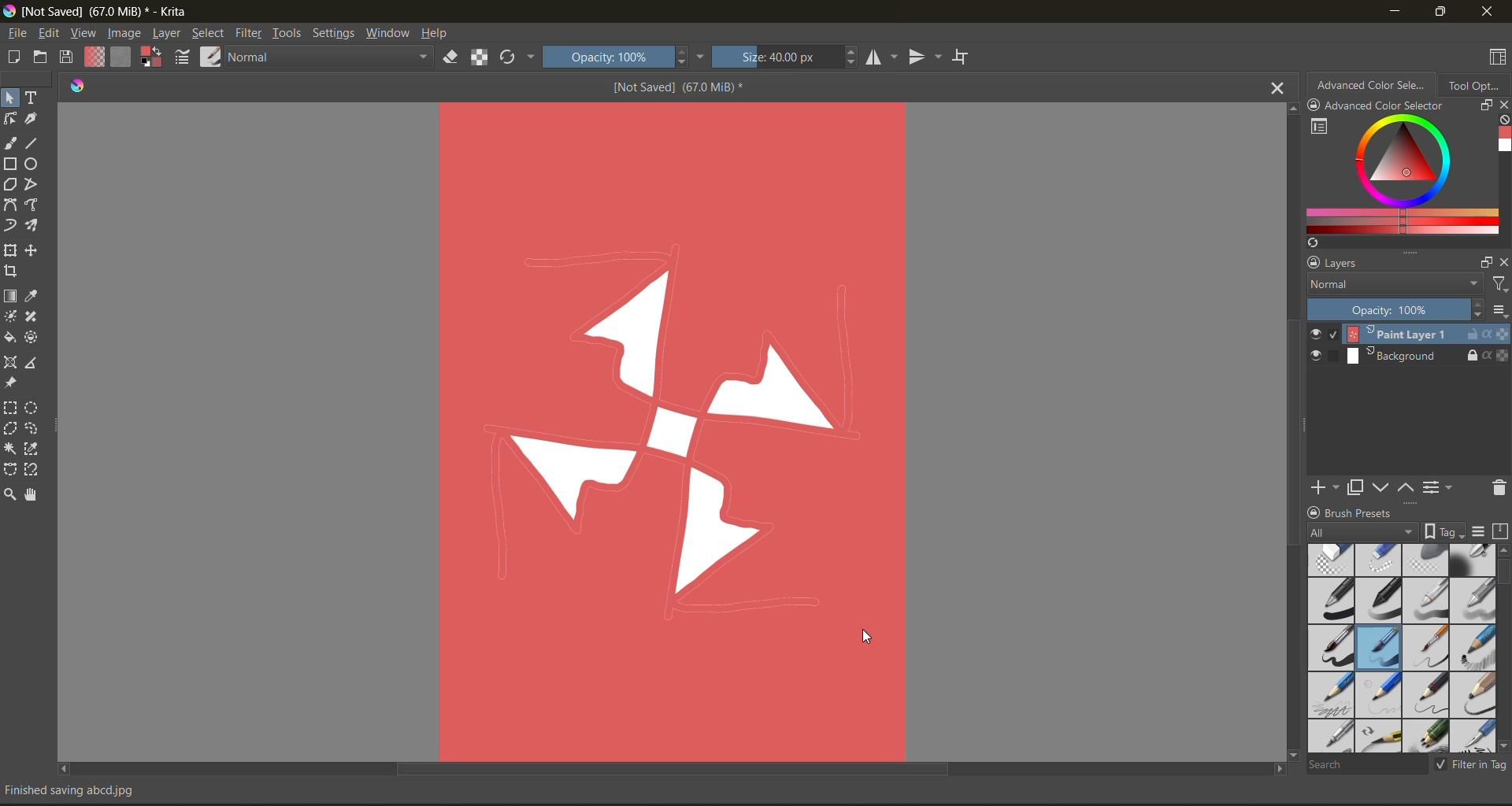 This screenshot has height=806, width=1512. I want to click on tools, so click(31, 494).